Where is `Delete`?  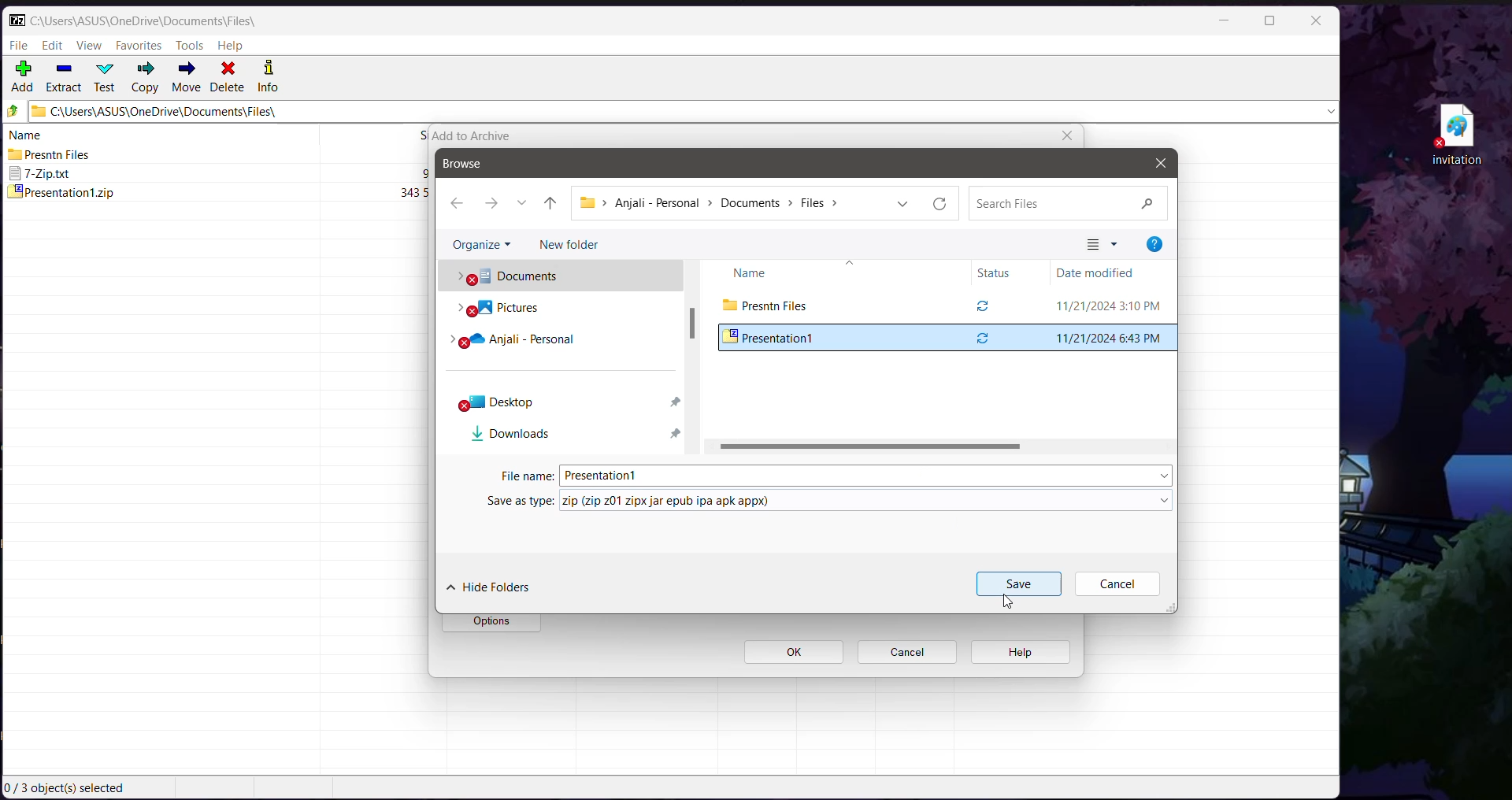
Delete is located at coordinates (229, 78).